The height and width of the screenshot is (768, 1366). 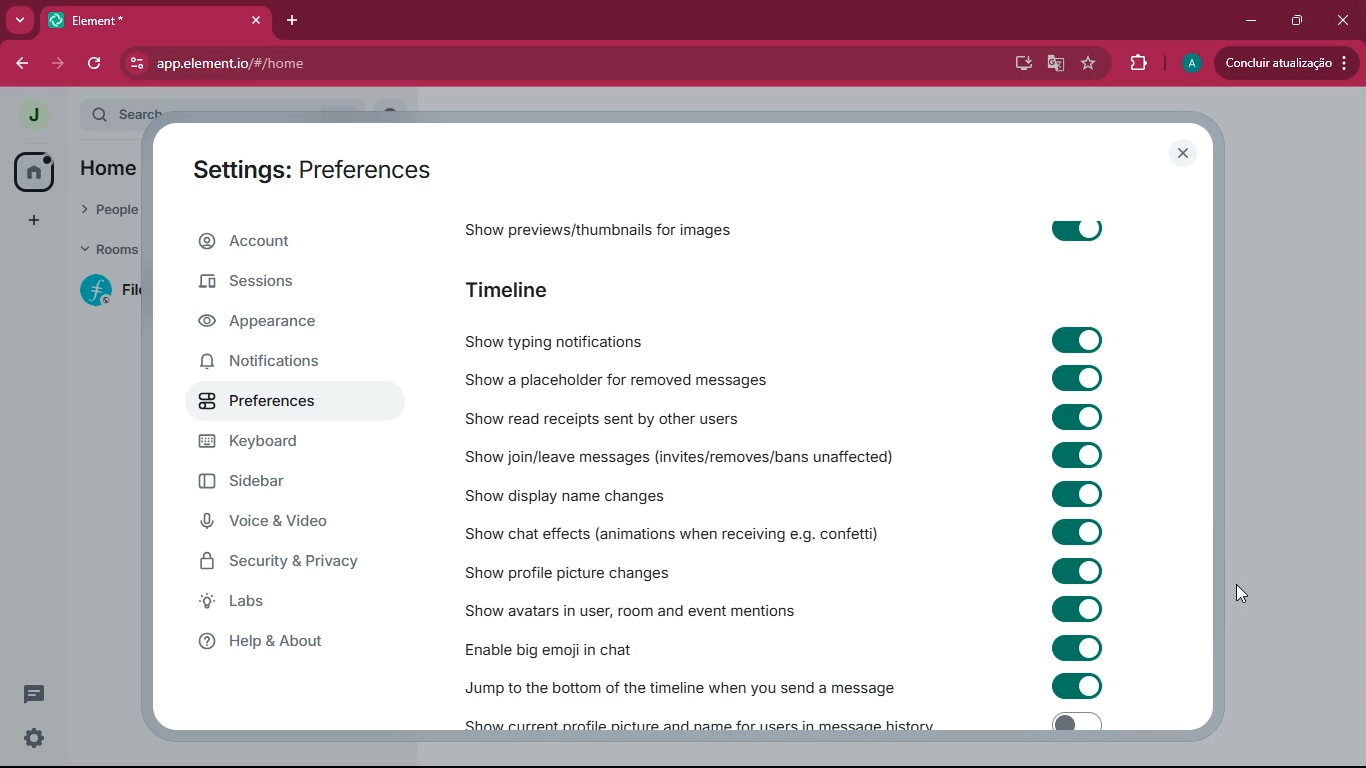 What do you see at coordinates (1015, 63) in the screenshot?
I see `desktop` at bounding box center [1015, 63].